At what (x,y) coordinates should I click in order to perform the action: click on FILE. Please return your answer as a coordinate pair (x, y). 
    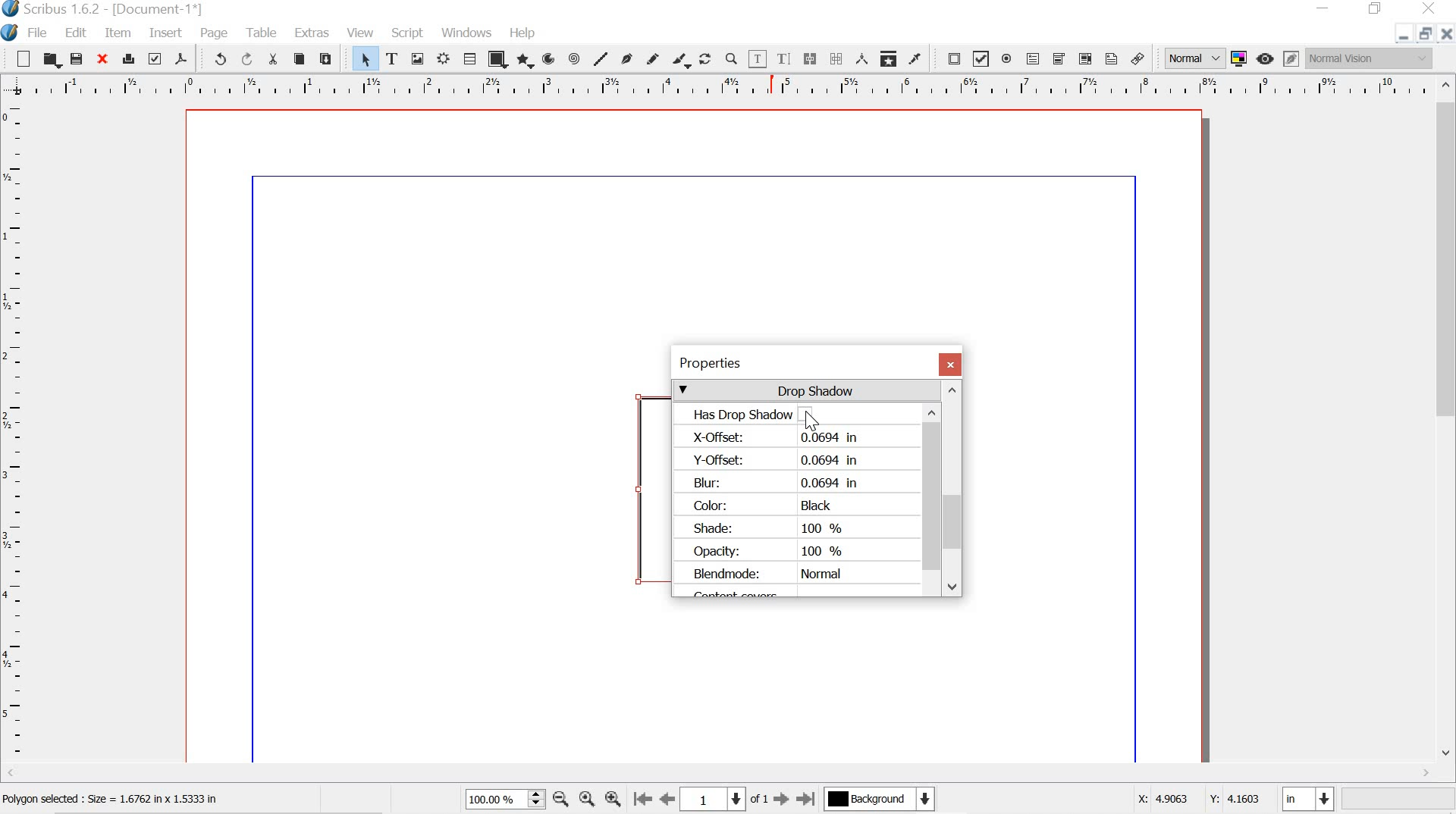
    Looking at the image, I should click on (40, 33).